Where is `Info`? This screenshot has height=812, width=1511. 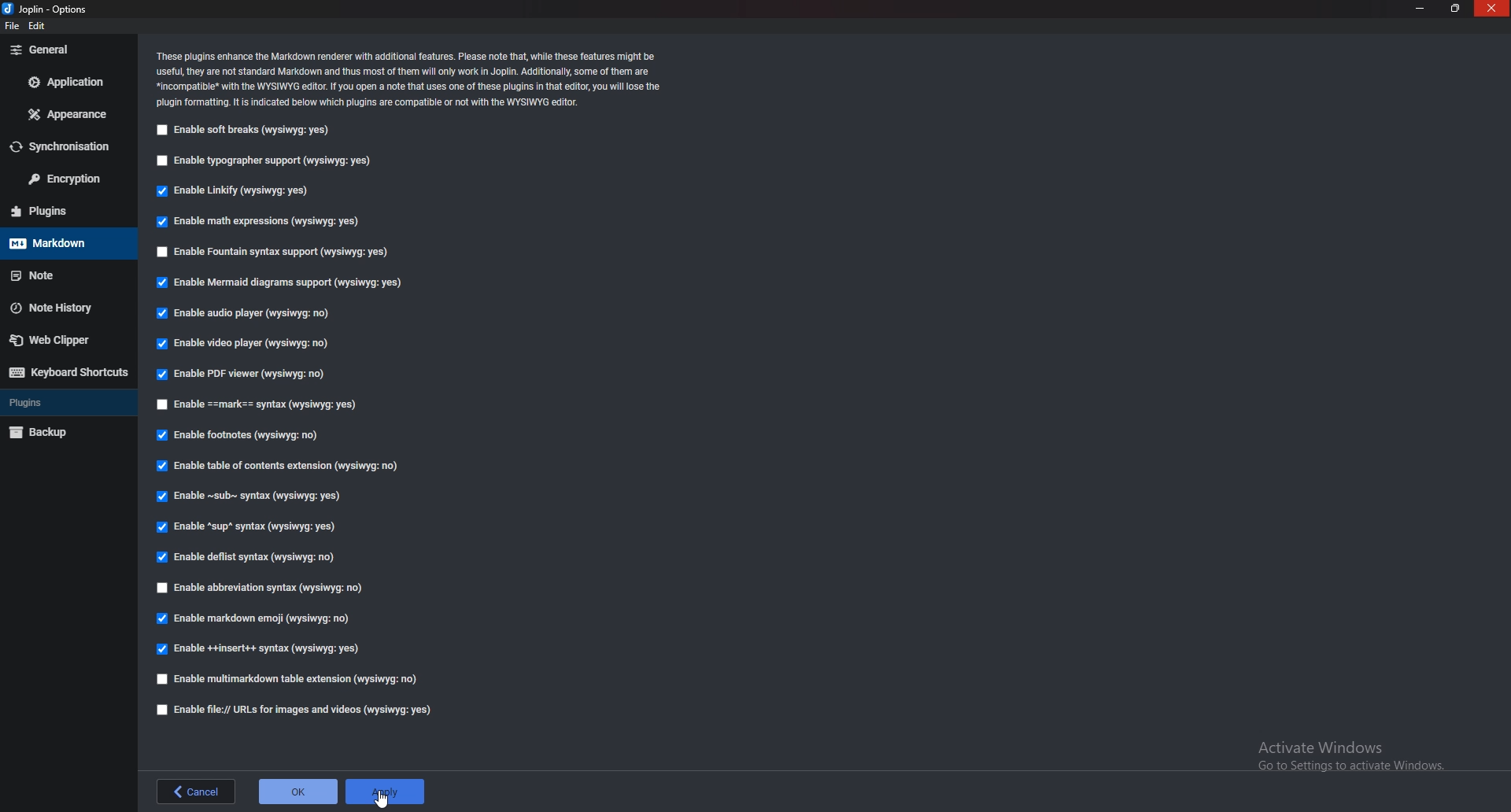
Info is located at coordinates (412, 79).